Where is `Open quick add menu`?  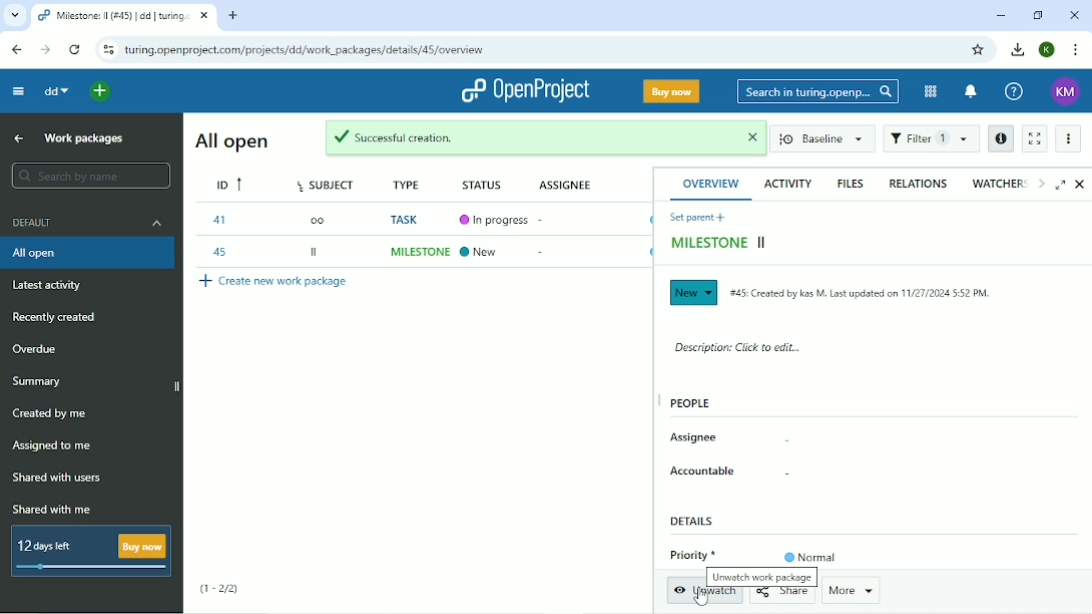
Open quick add menu is located at coordinates (102, 92).